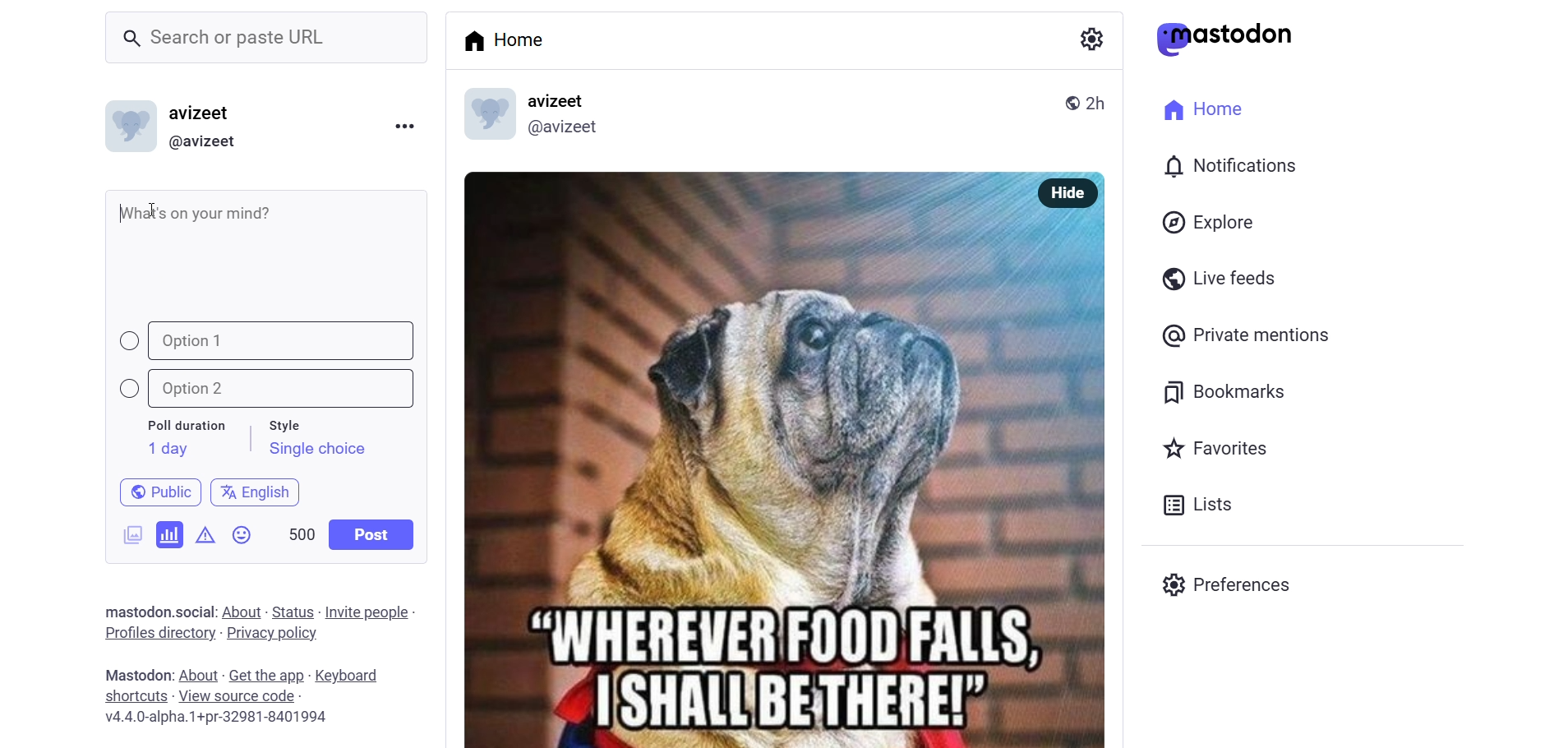 Image resolution: width=1568 pixels, height=748 pixels. What do you see at coordinates (1247, 335) in the screenshot?
I see `private mention` at bounding box center [1247, 335].